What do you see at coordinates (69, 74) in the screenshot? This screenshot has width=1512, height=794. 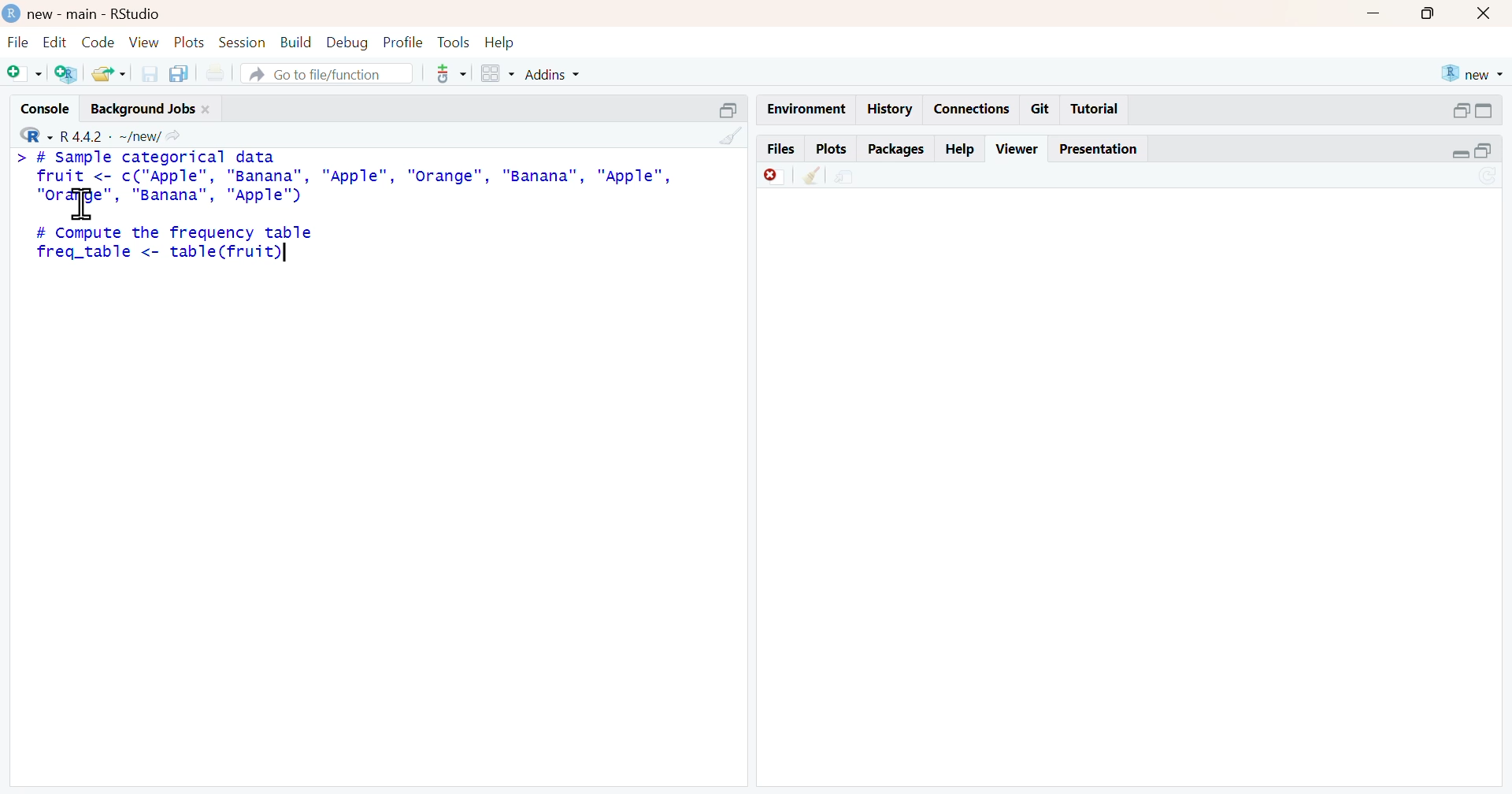 I see `create a project` at bounding box center [69, 74].